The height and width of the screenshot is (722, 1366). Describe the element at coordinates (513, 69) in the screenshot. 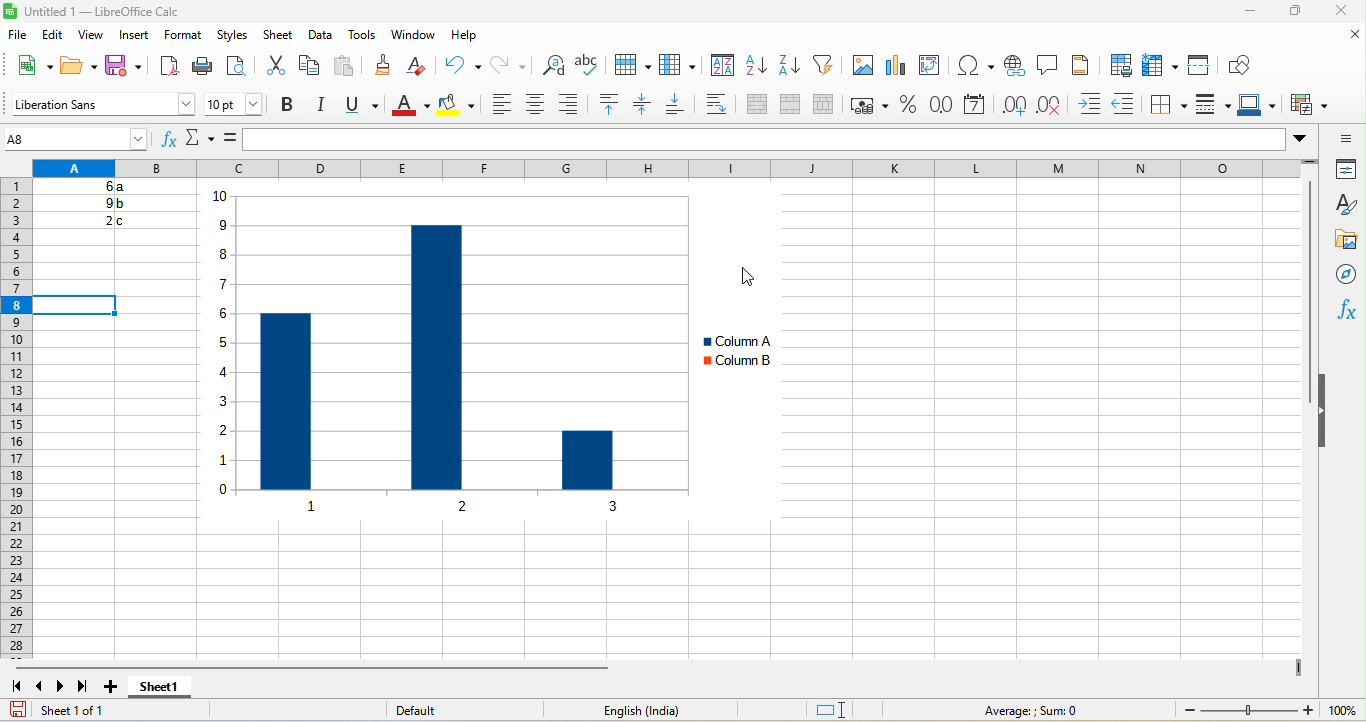

I see `redo` at that location.